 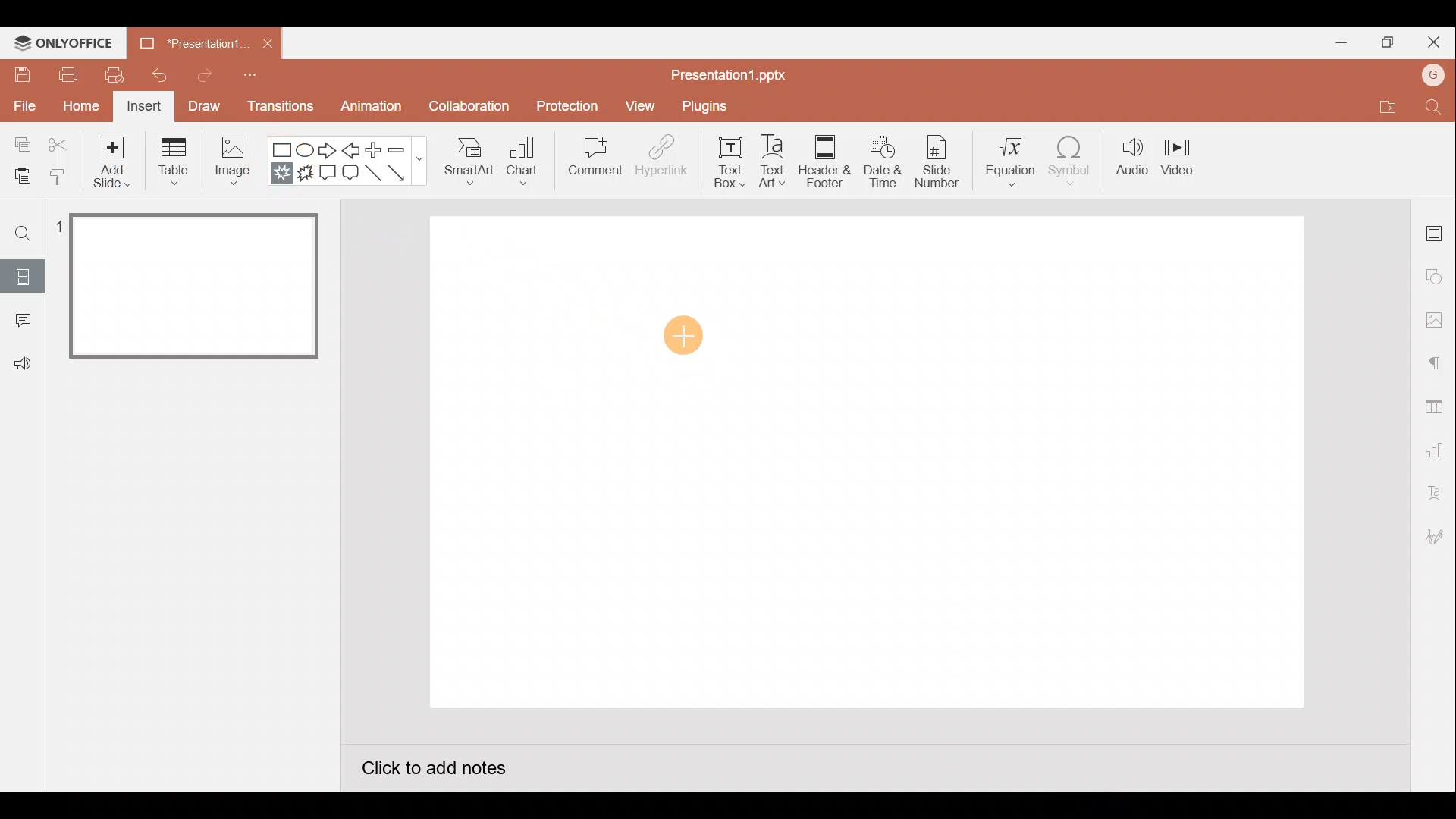 I want to click on Close, so click(x=1433, y=37).